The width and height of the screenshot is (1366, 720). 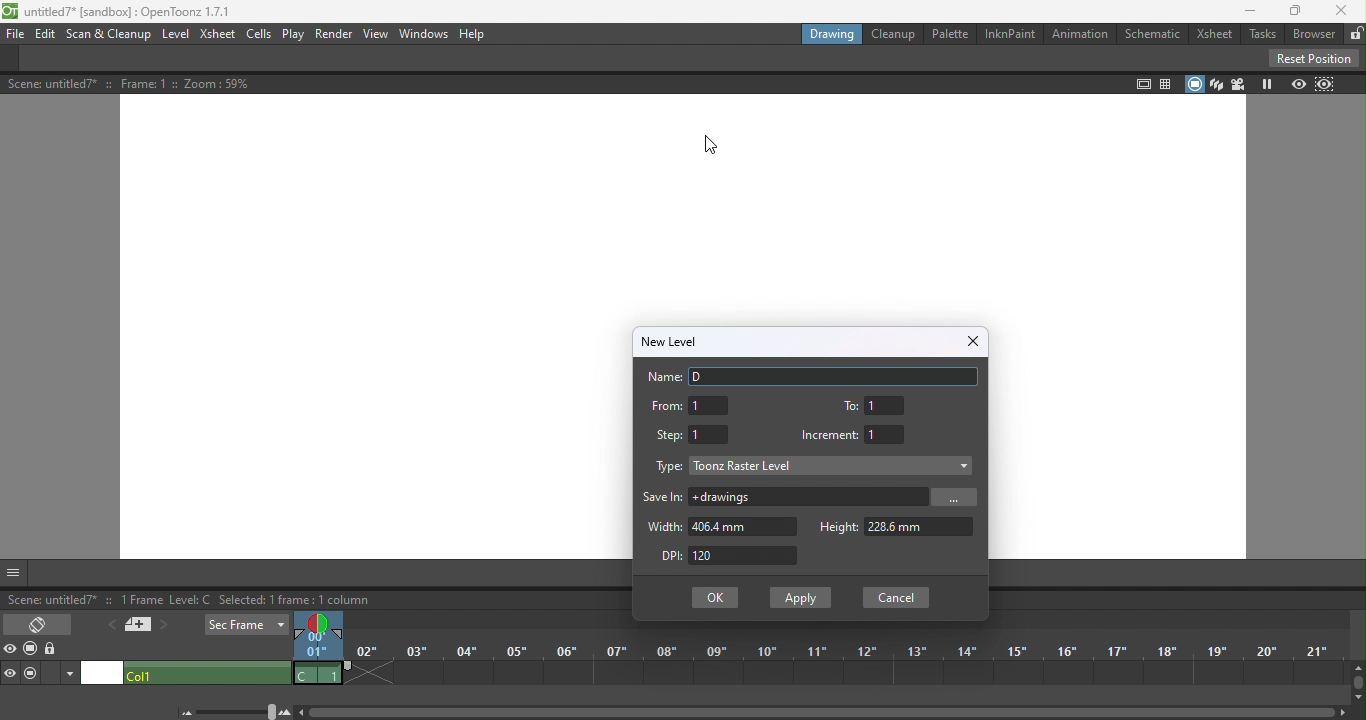 I want to click on Preview visibility toggle all, so click(x=12, y=651).